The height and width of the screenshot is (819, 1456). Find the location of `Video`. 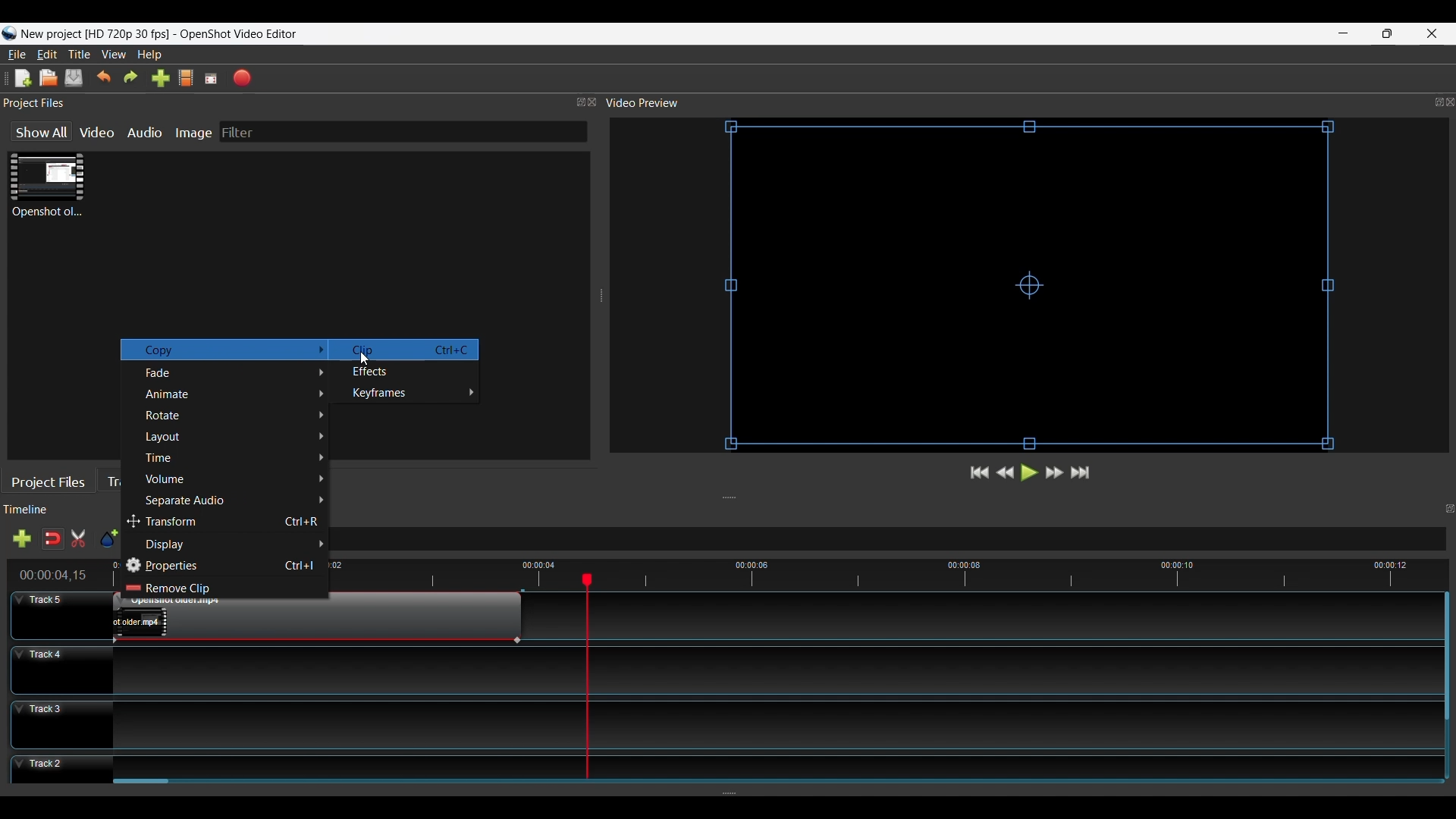

Video is located at coordinates (99, 132).